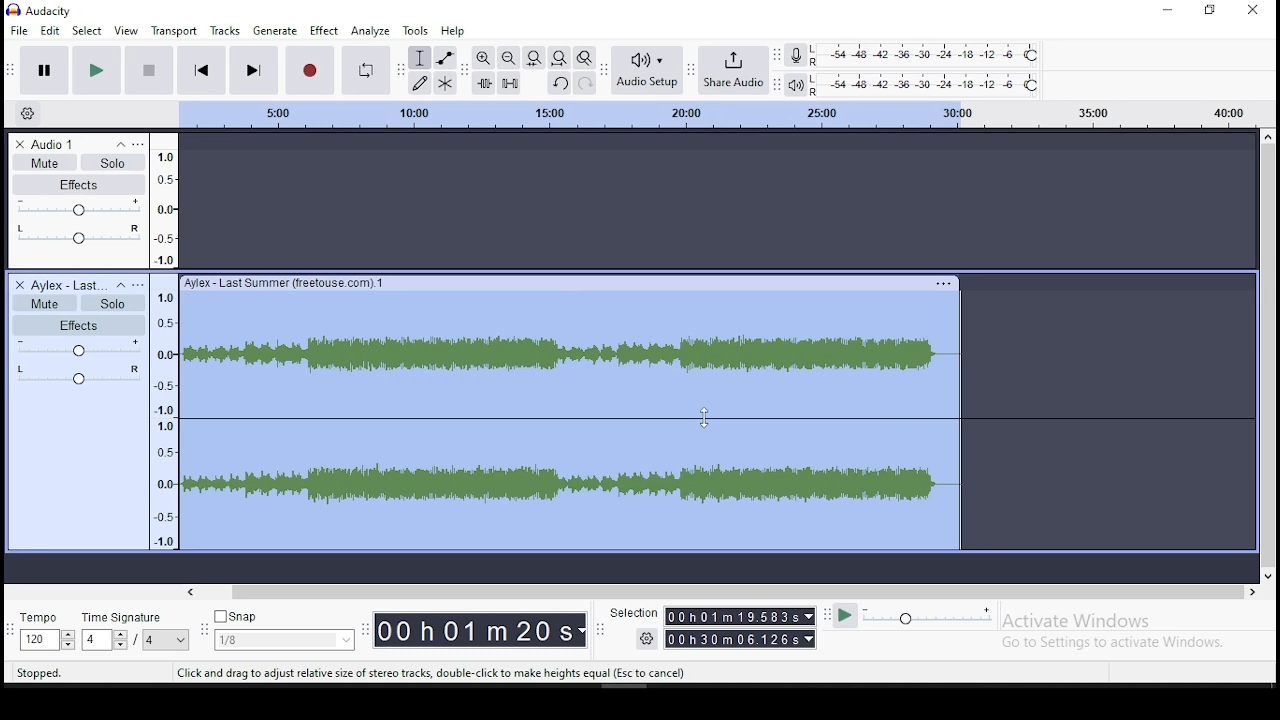  I want to click on scroll bar, so click(1266, 353).